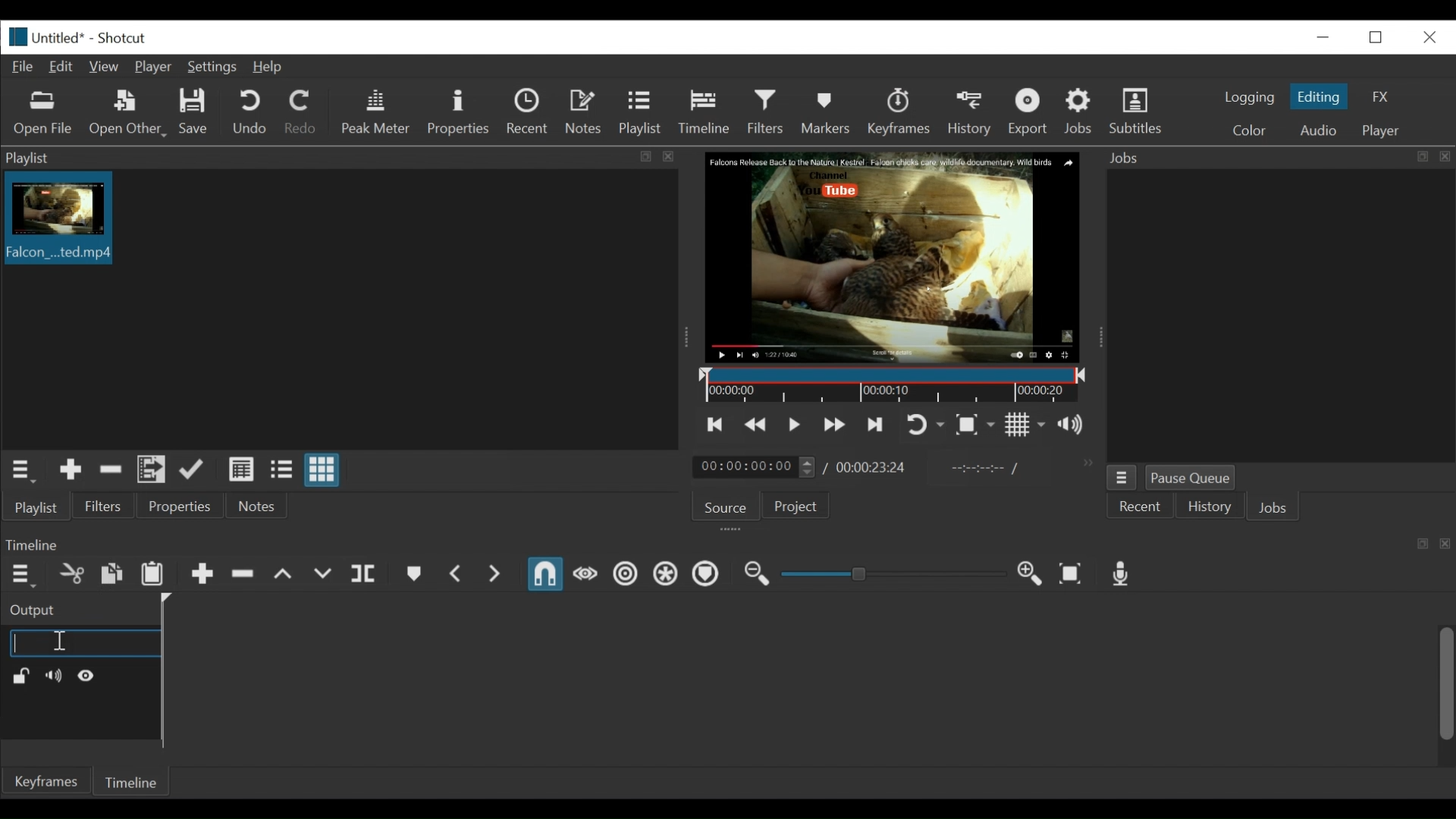  Describe the element at coordinates (375, 112) in the screenshot. I see `Peak Meter` at that location.